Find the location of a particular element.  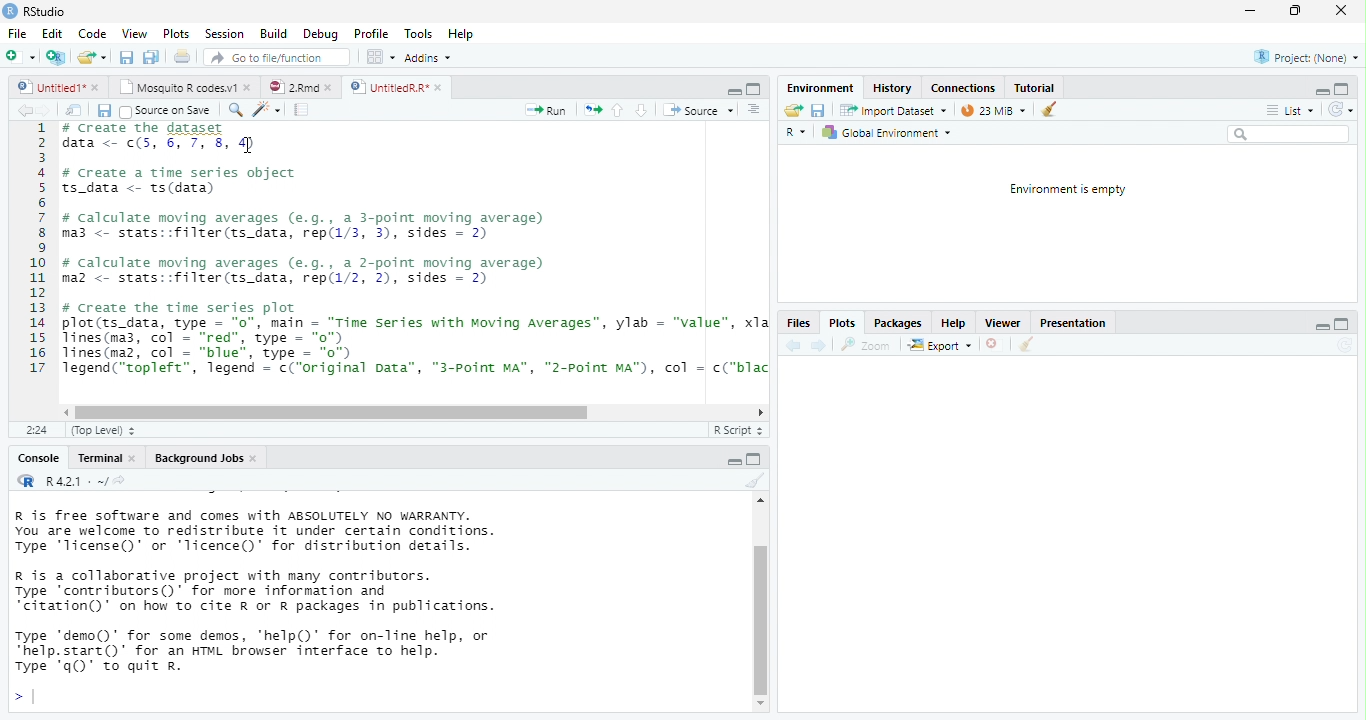

scrollbar down is located at coordinates (761, 704).